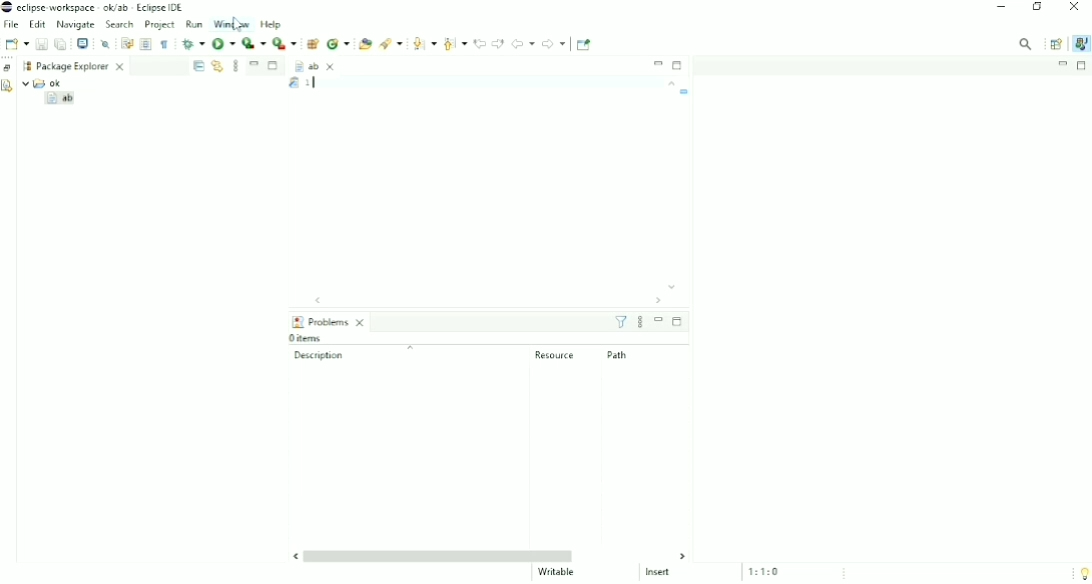 The width and height of the screenshot is (1092, 584). Describe the element at coordinates (306, 337) in the screenshot. I see `0 items` at that location.